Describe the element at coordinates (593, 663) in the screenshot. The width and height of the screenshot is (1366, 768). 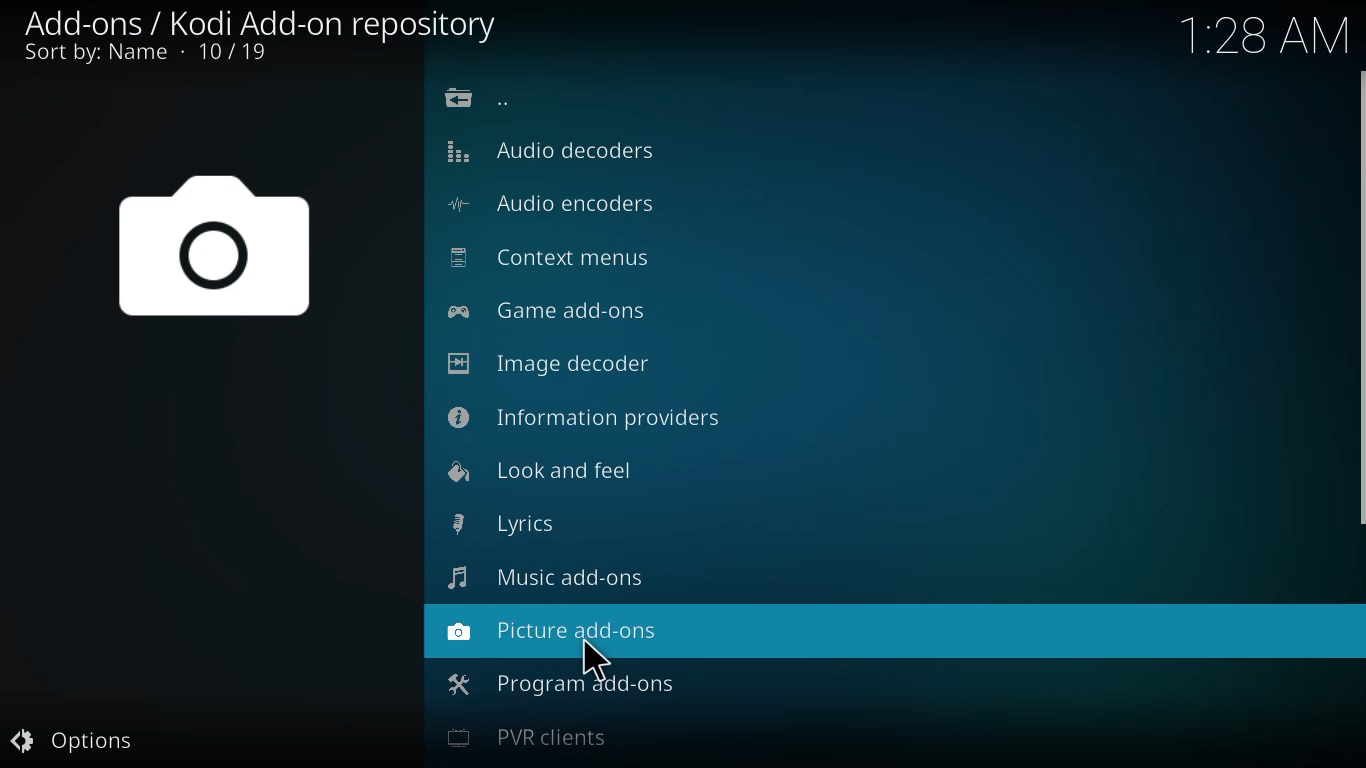
I see `cursor` at that location.